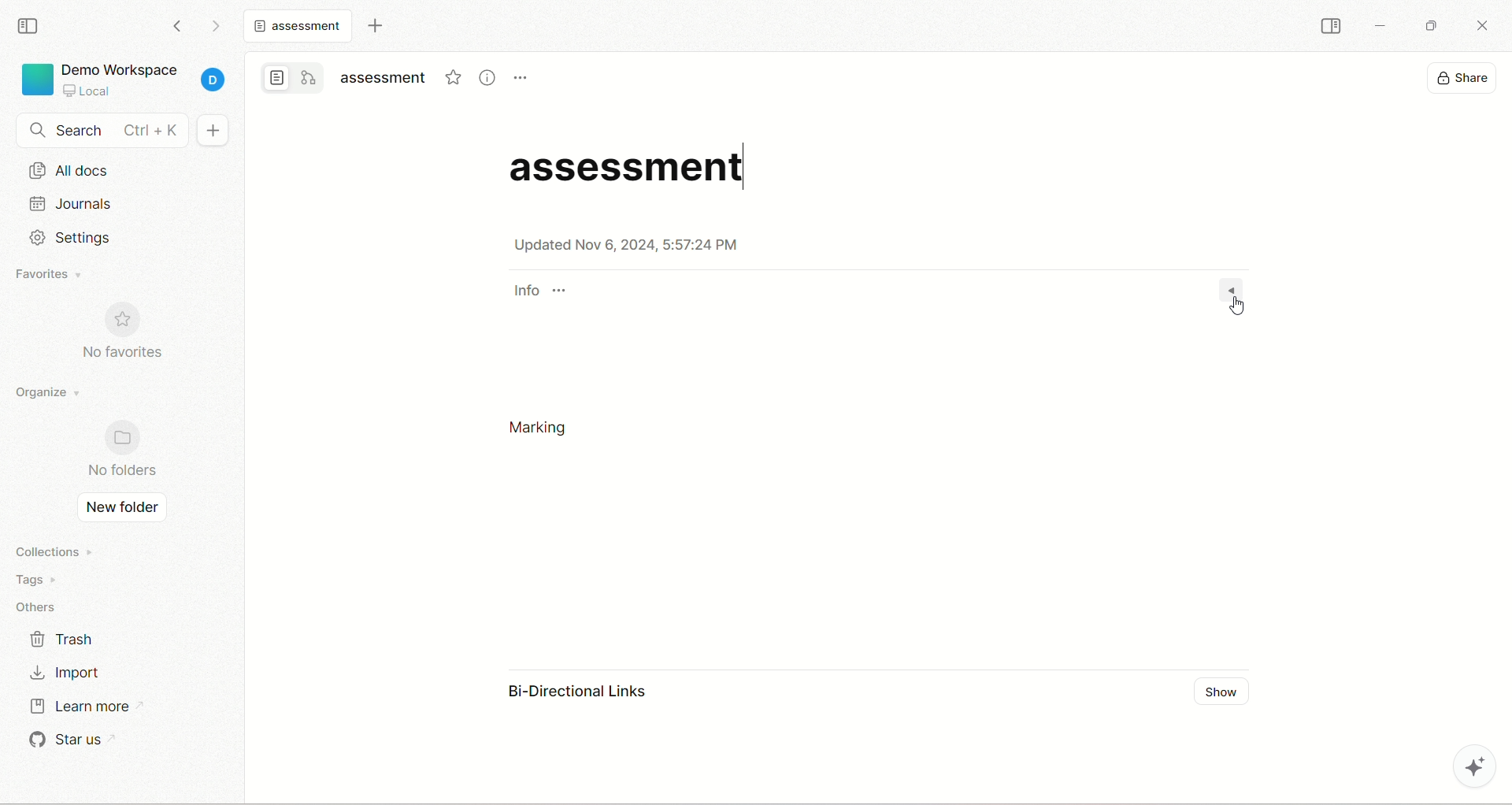 The image size is (1512, 805). Describe the element at coordinates (1466, 78) in the screenshot. I see `share` at that location.